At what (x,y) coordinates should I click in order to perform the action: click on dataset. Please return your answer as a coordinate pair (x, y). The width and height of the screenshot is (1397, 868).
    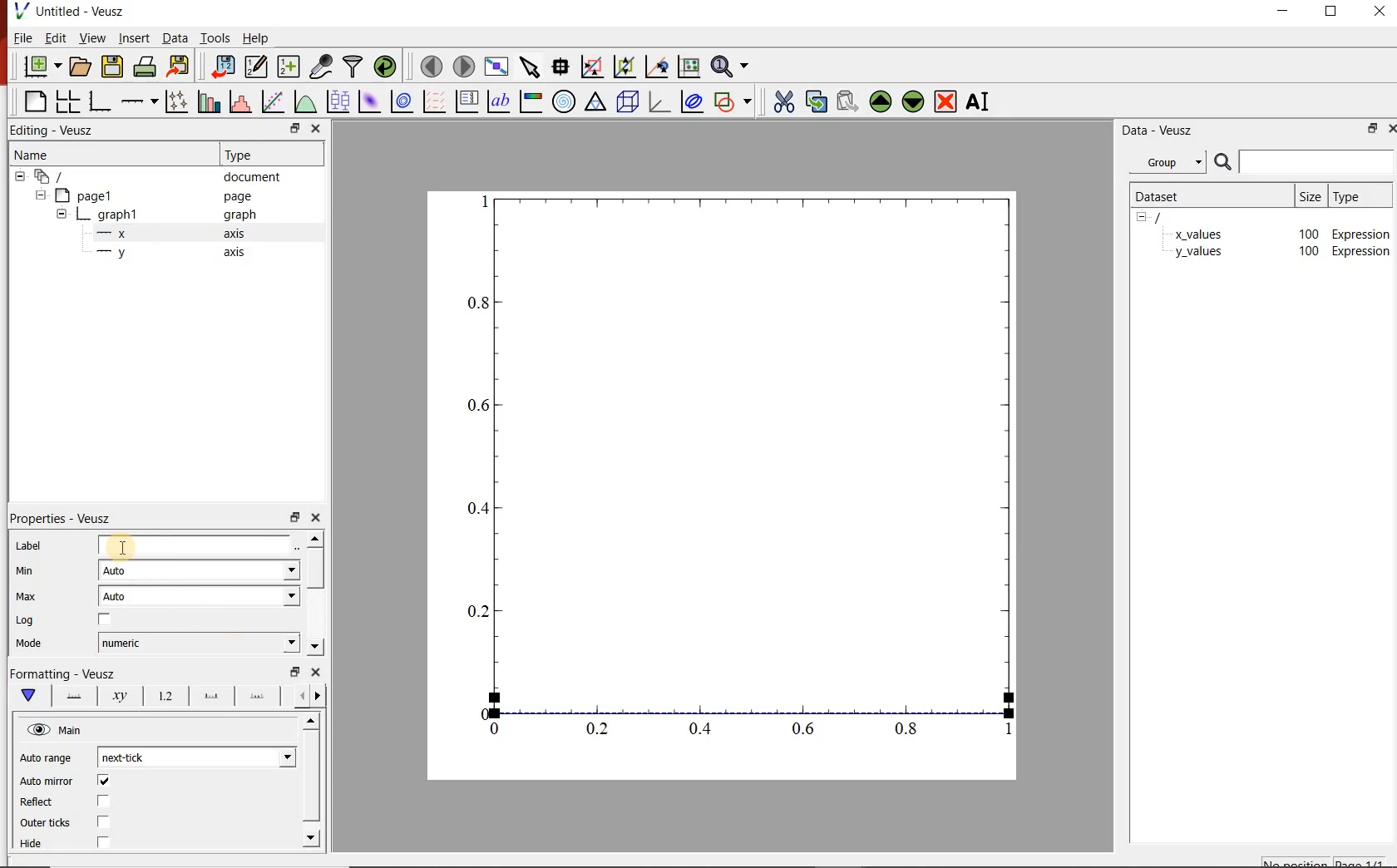
    Looking at the image, I should click on (1170, 196).